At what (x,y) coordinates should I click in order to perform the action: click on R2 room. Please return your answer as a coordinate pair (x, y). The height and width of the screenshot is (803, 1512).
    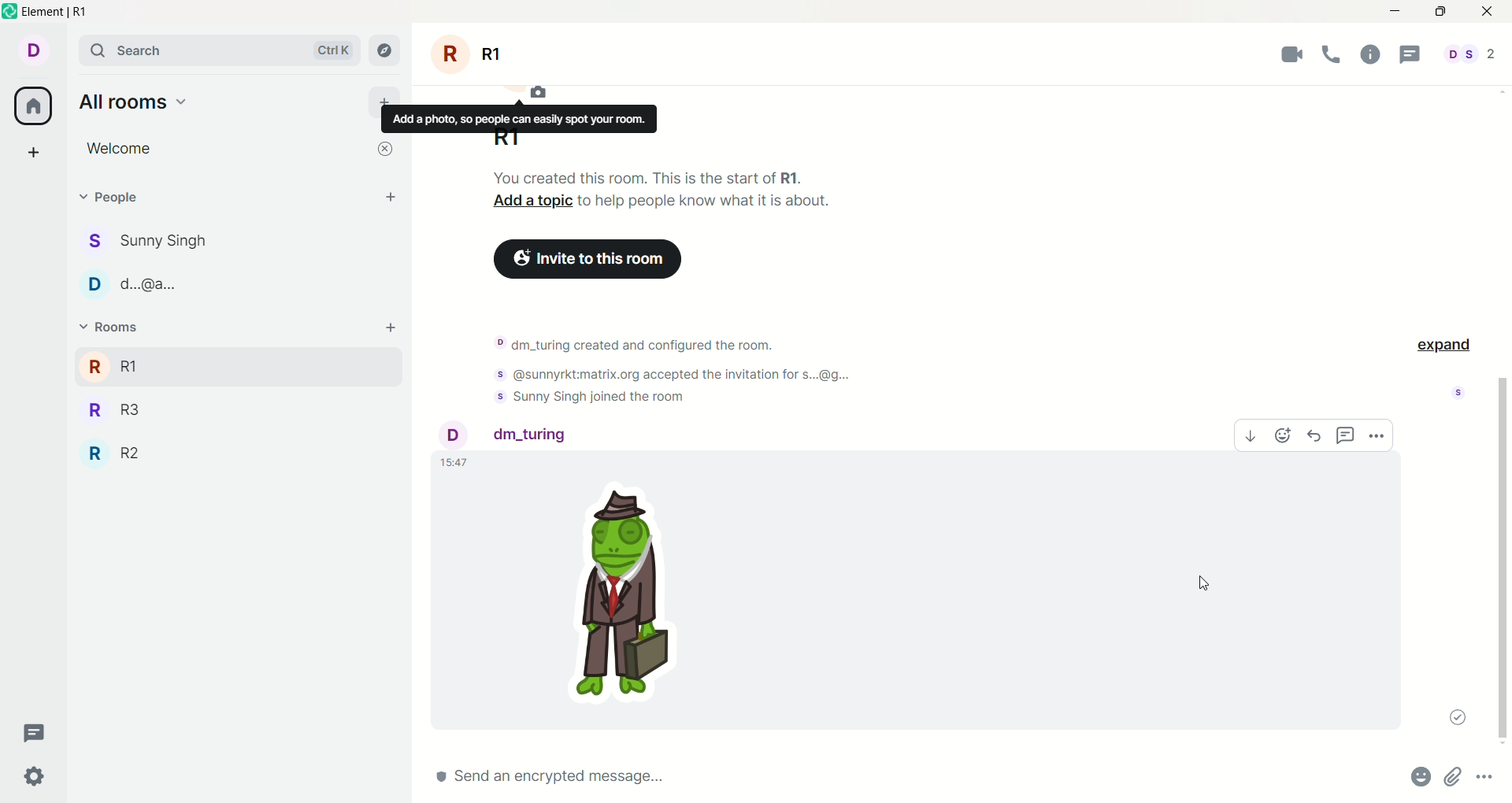
    Looking at the image, I should click on (113, 453).